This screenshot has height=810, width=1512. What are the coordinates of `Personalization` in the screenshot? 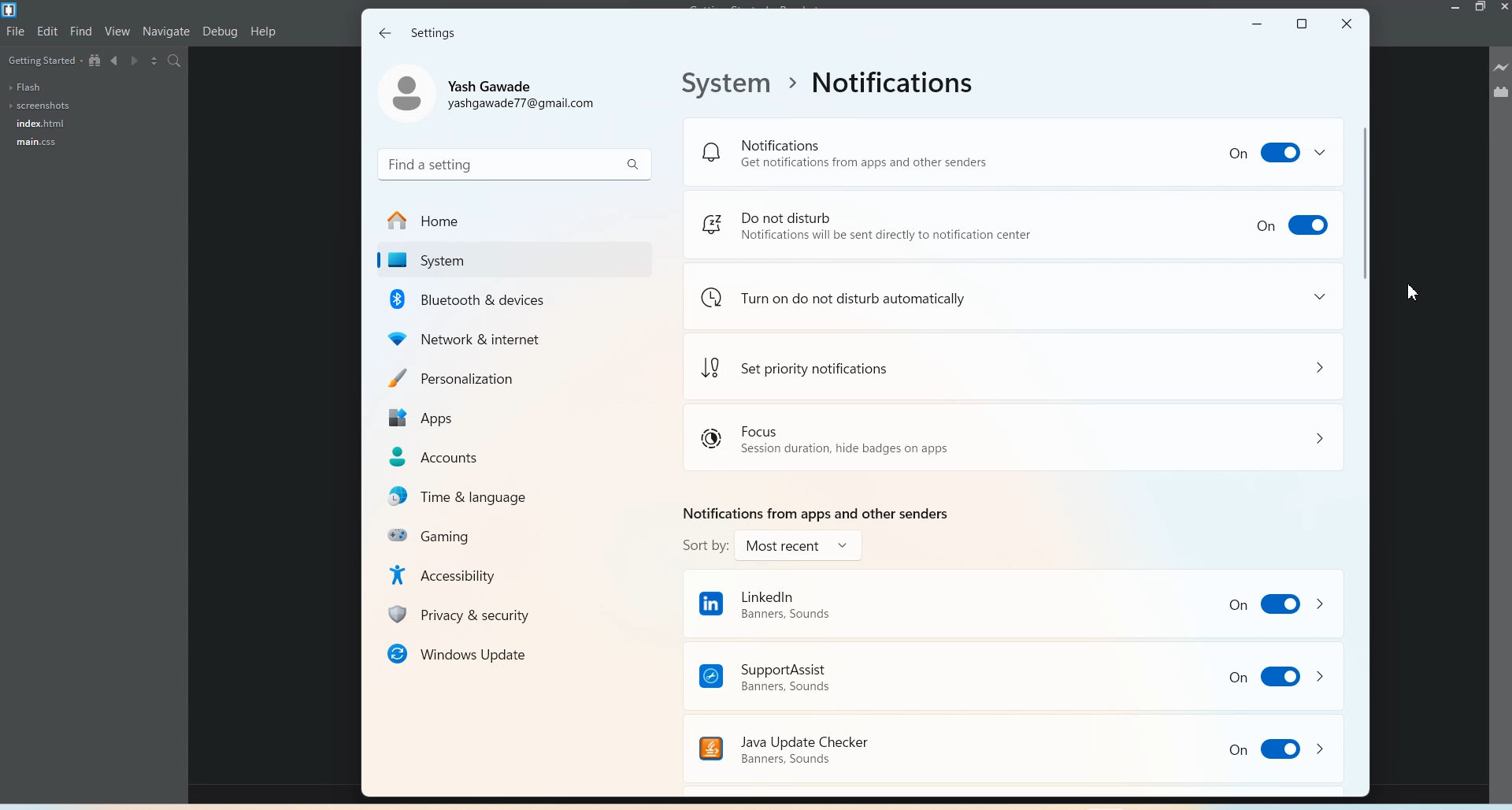 It's located at (509, 375).